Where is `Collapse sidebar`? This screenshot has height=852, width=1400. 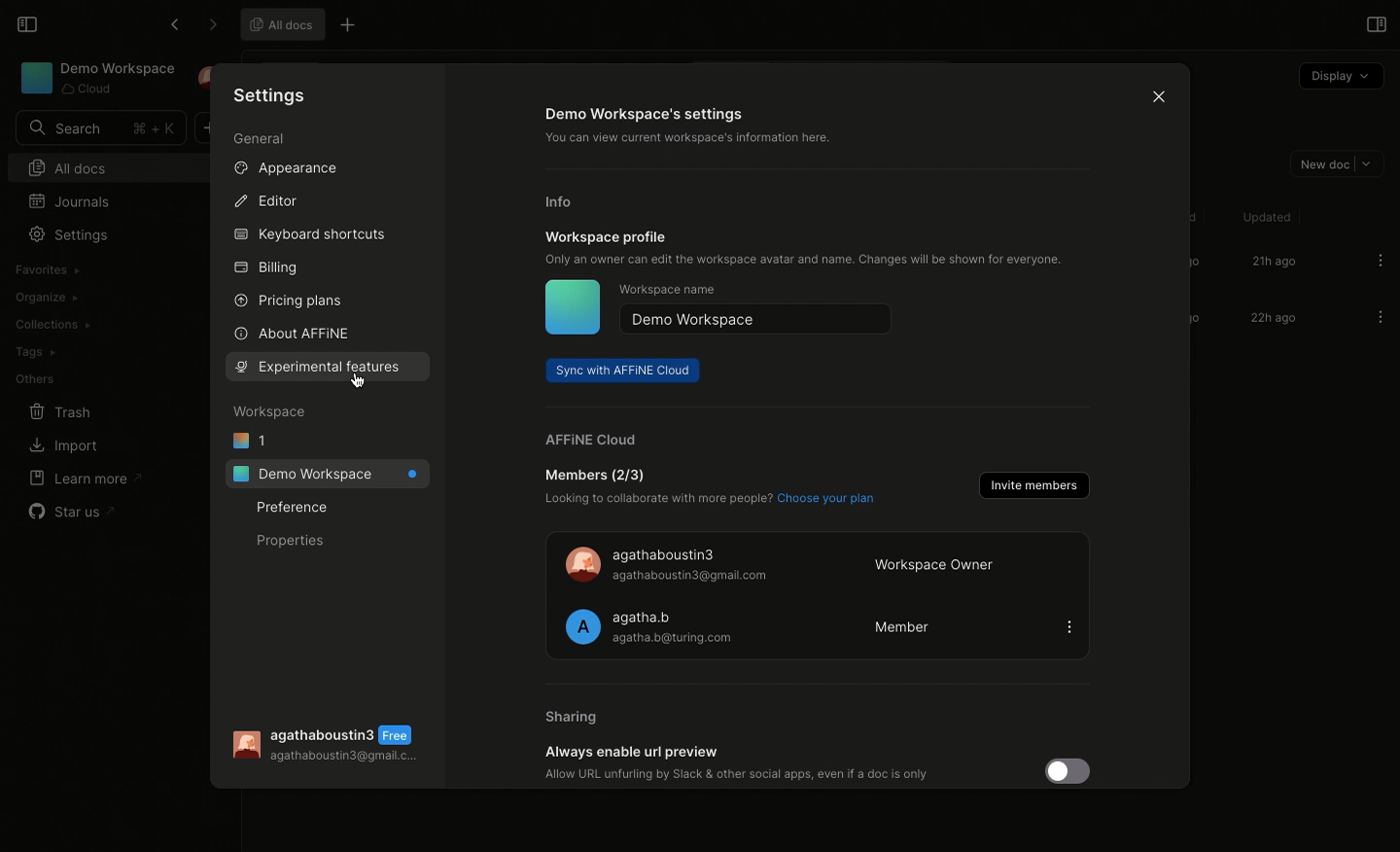
Collapse sidebar is located at coordinates (25, 22).